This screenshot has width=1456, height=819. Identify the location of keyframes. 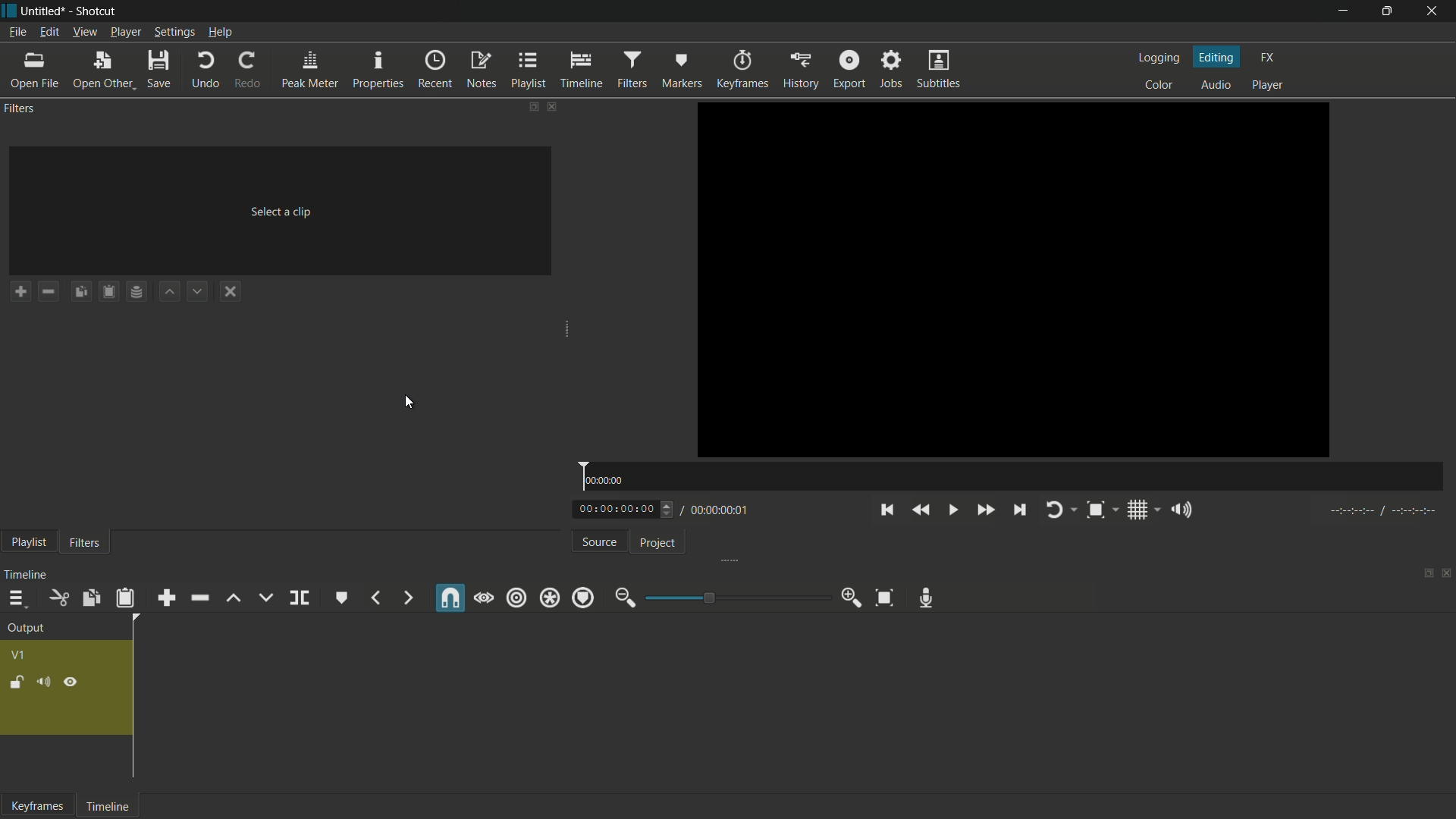
(40, 808).